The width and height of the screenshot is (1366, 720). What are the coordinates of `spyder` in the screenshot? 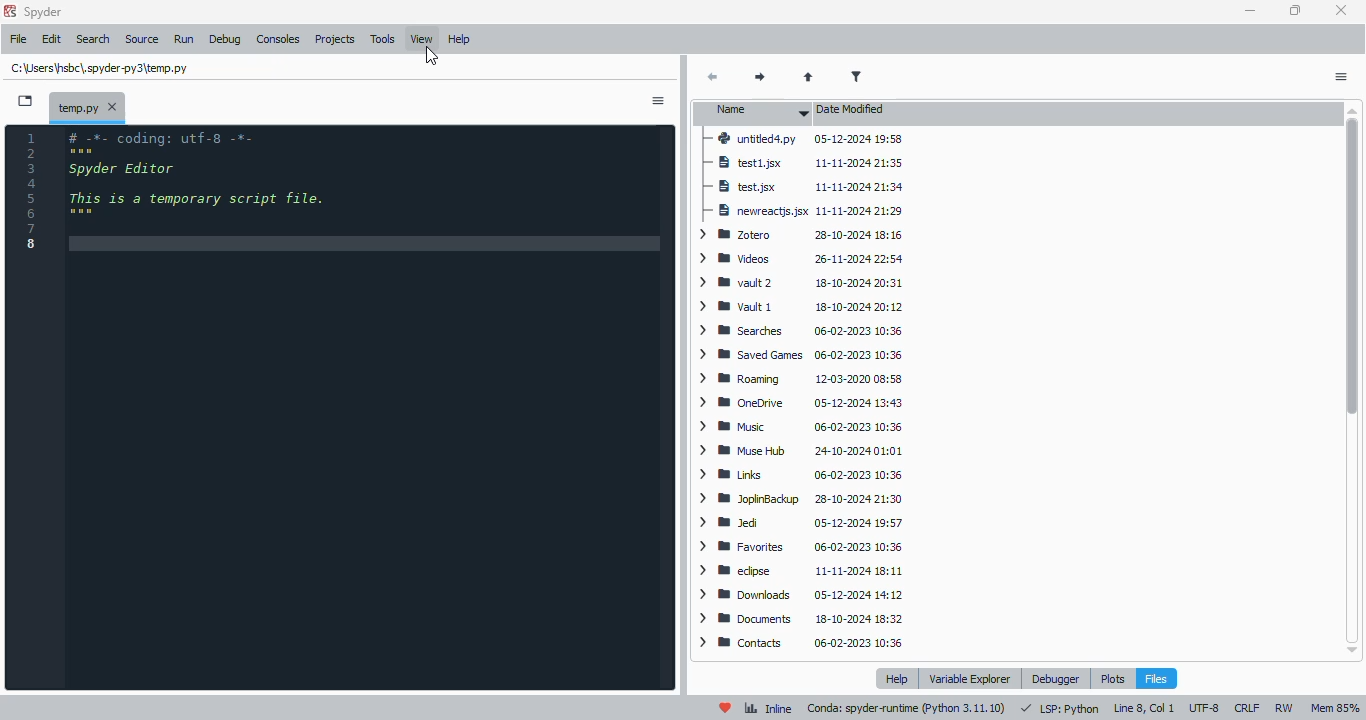 It's located at (44, 12).